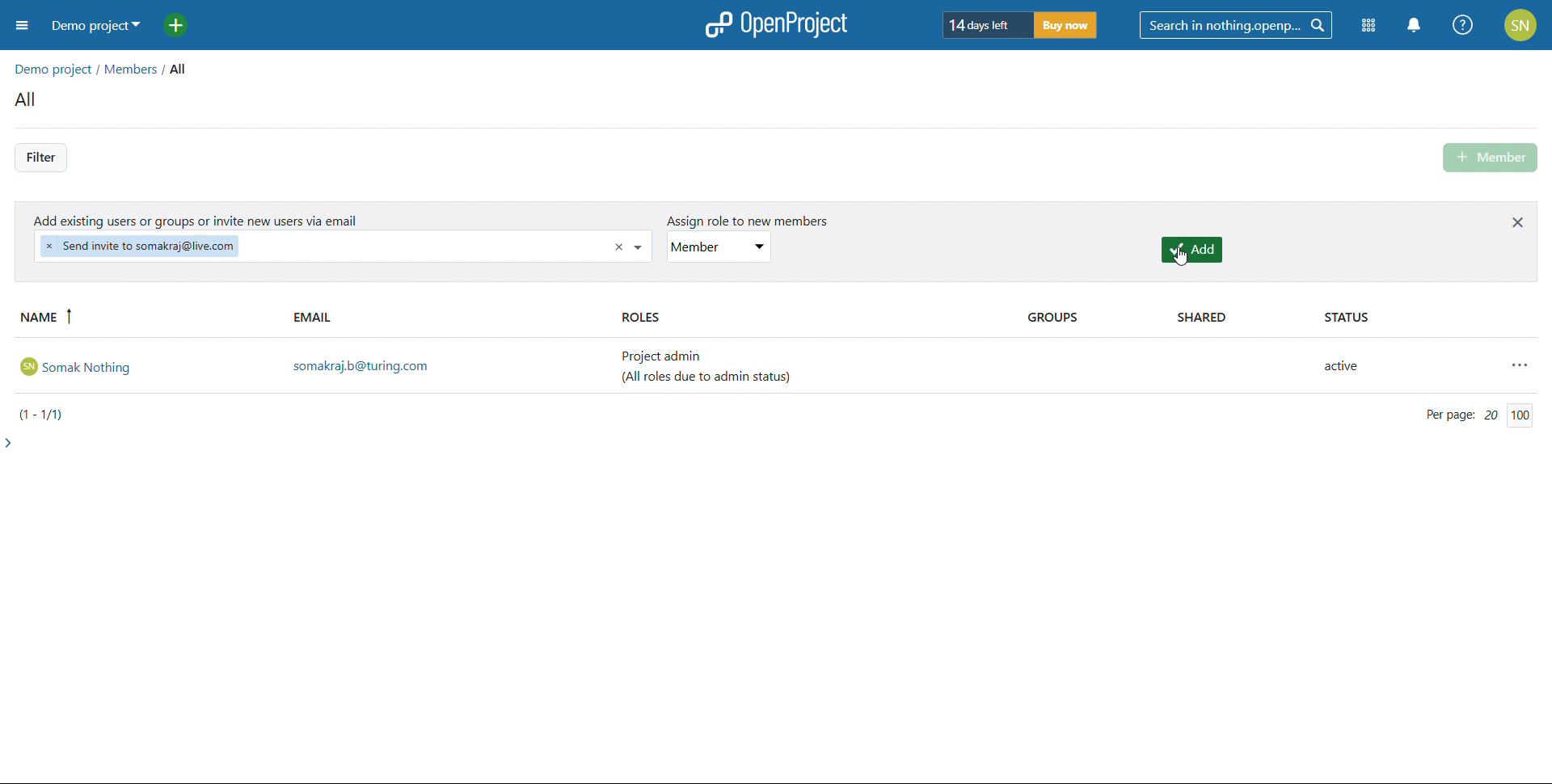  What do you see at coordinates (1368, 26) in the screenshot?
I see `module` at bounding box center [1368, 26].